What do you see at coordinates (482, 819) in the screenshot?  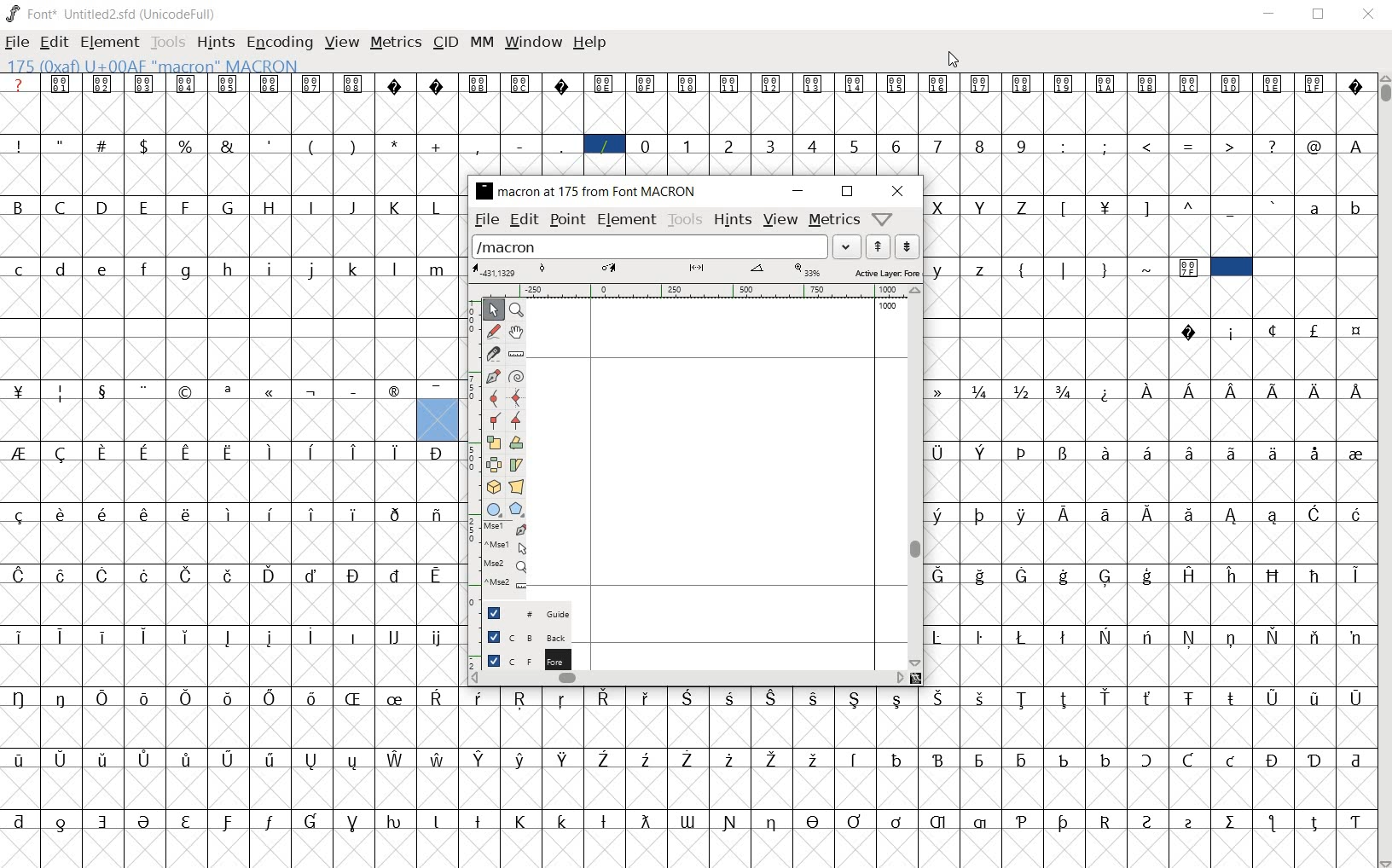 I see `Symbol` at bounding box center [482, 819].